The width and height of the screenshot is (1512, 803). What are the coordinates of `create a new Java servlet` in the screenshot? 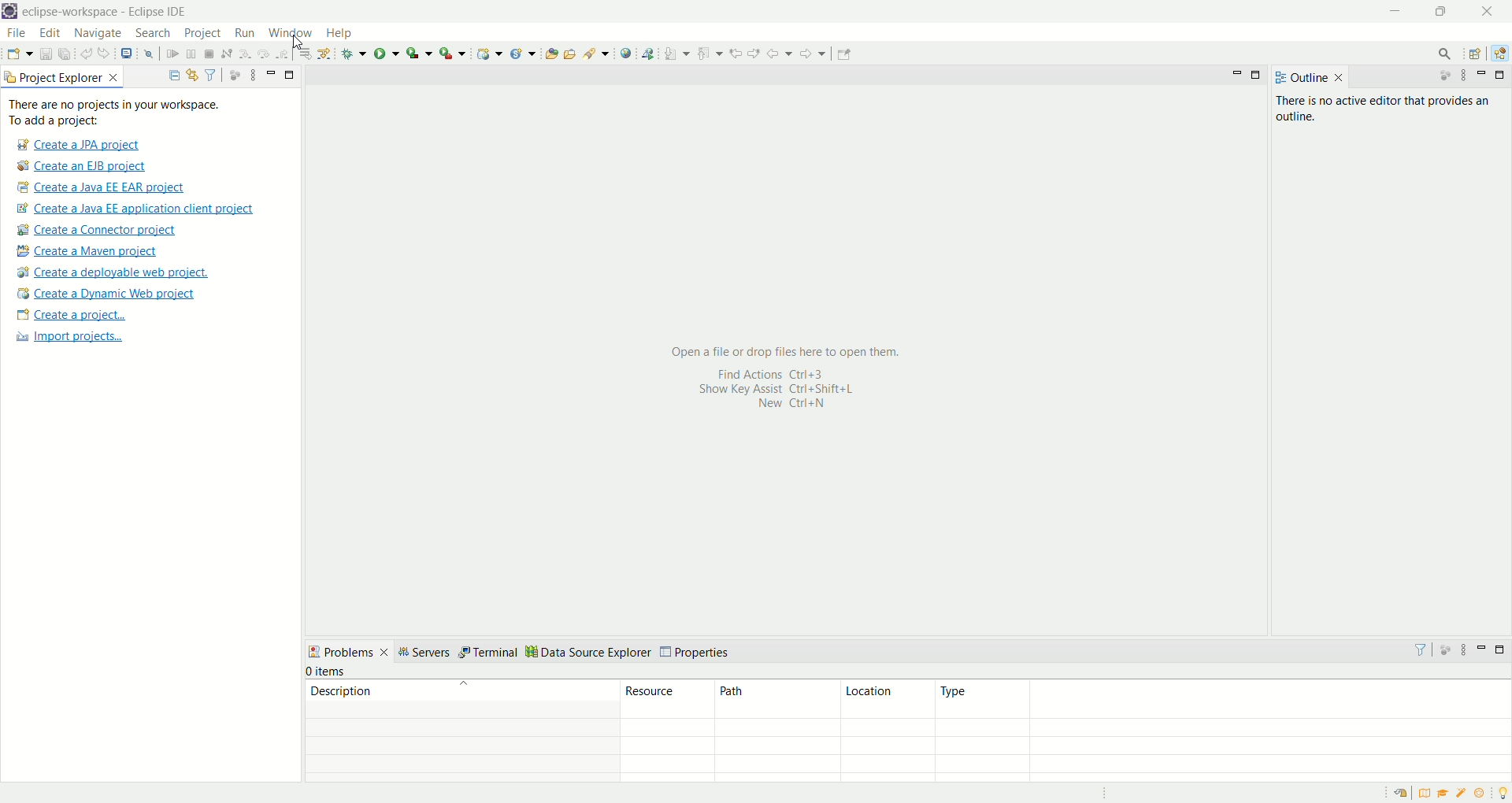 It's located at (527, 54).